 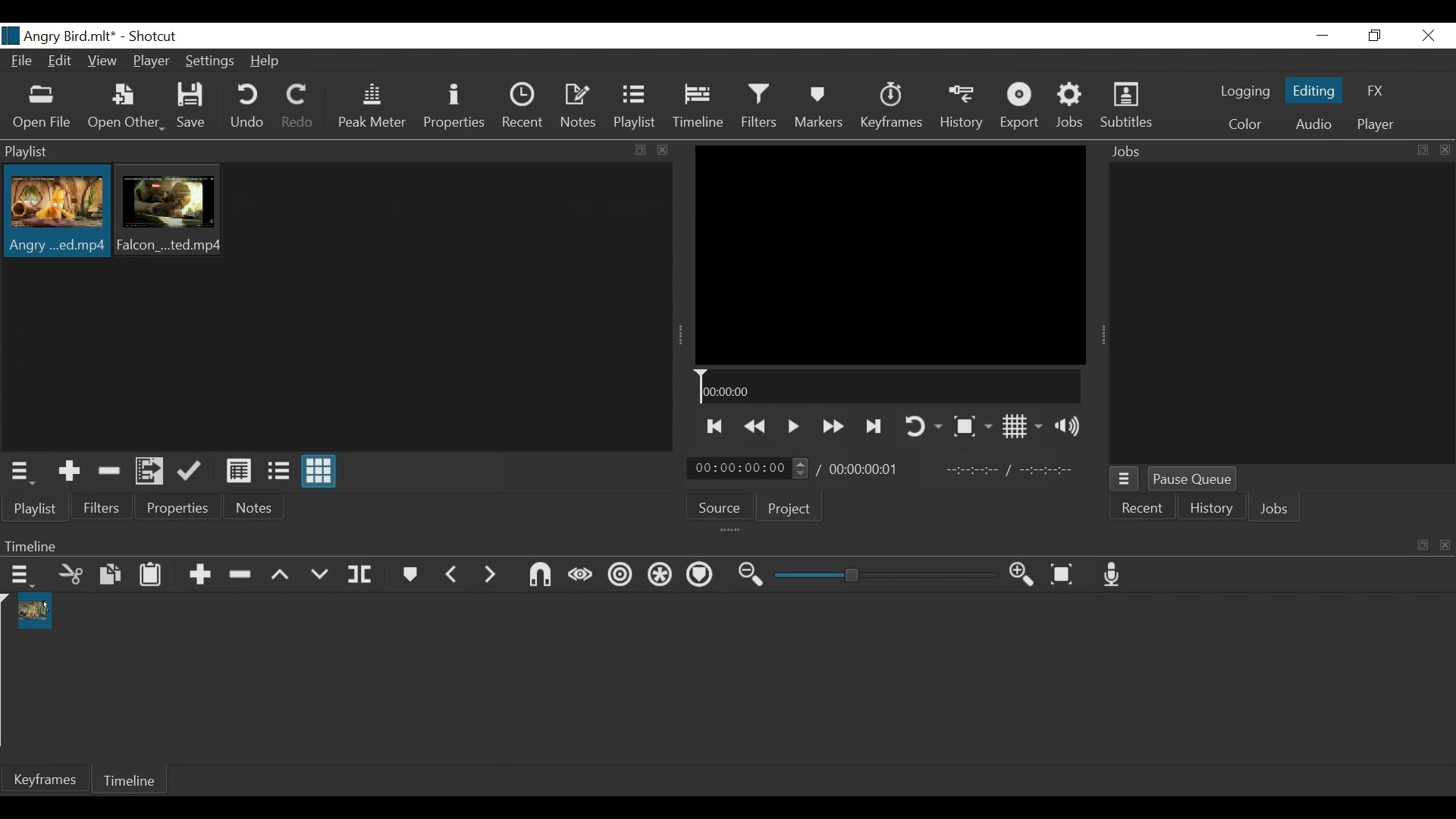 What do you see at coordinates (1241, 124) in the screenshot?
I see `Color` at bounding box center [1241, 124].